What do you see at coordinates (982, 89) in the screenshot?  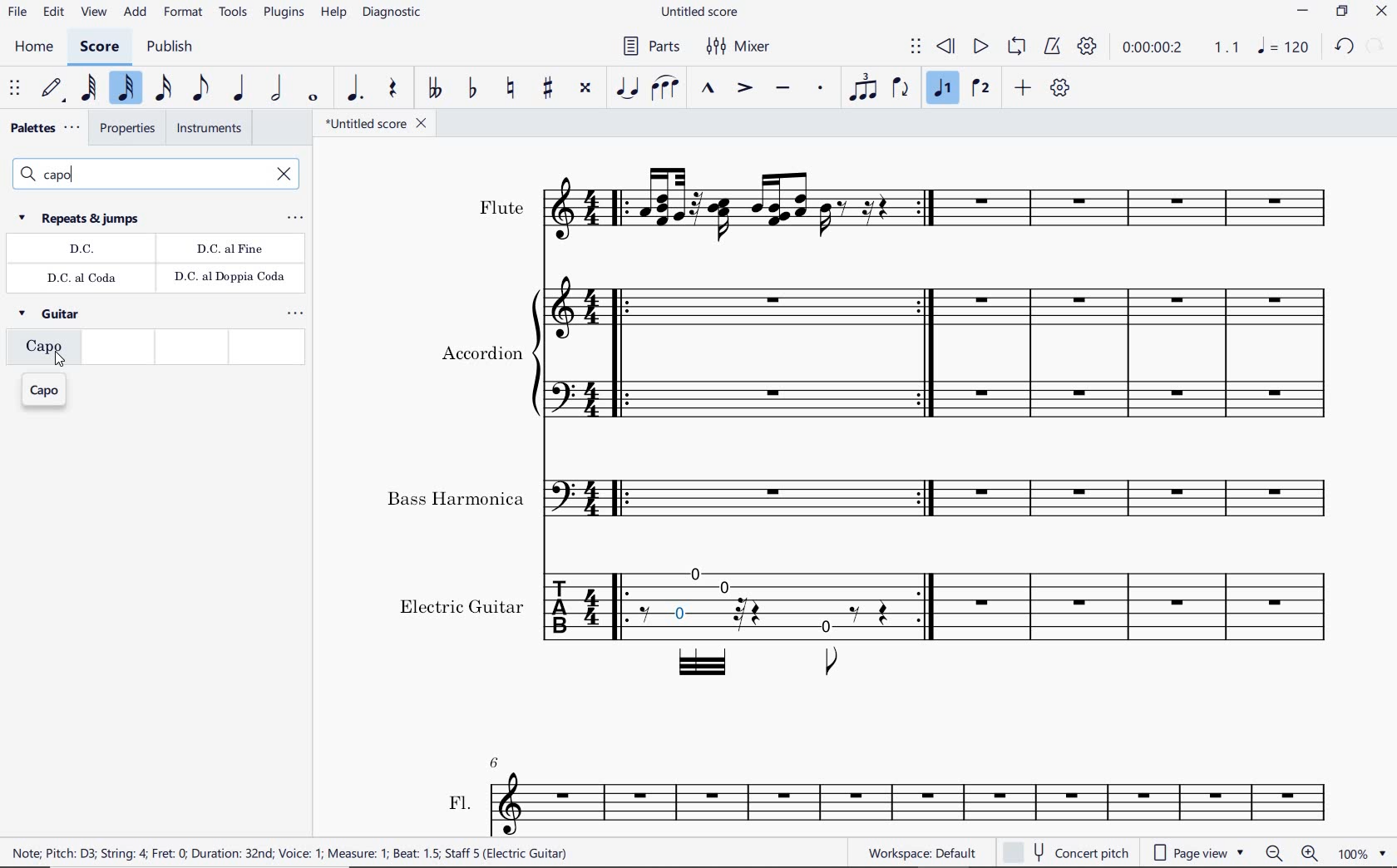 I see `voice 2` at bounding box center [982, 89].